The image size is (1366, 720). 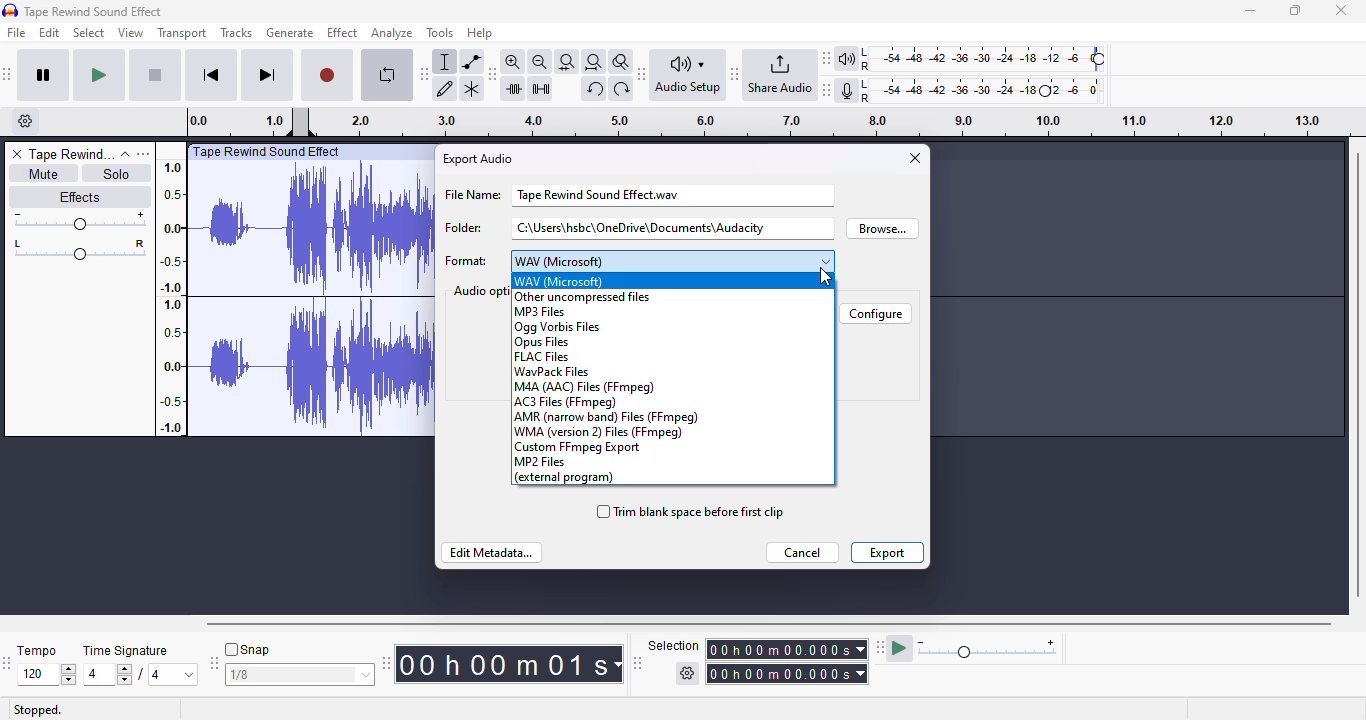 What do you see at coordinates (15, 154) in the screenshot?
I see `delete track` at bounding box center [15, 154].